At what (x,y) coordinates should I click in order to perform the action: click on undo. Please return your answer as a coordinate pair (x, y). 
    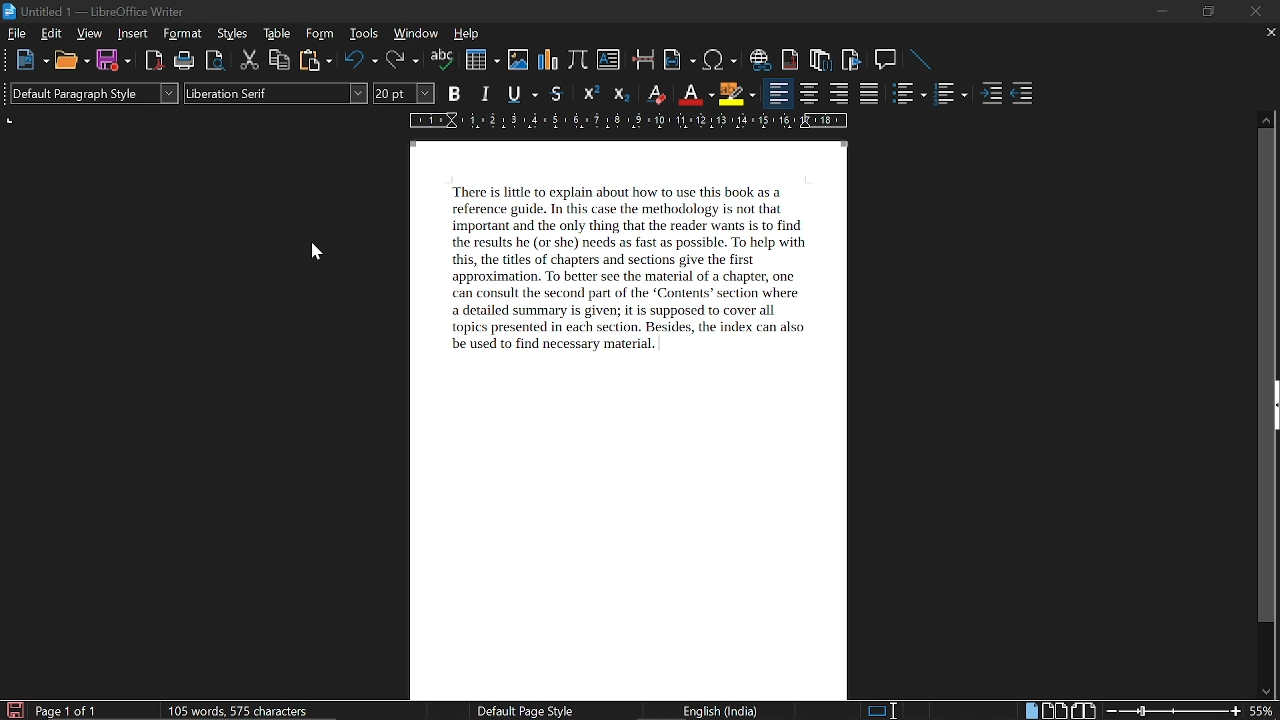
    Looking at the image, I should click on (361, 61).